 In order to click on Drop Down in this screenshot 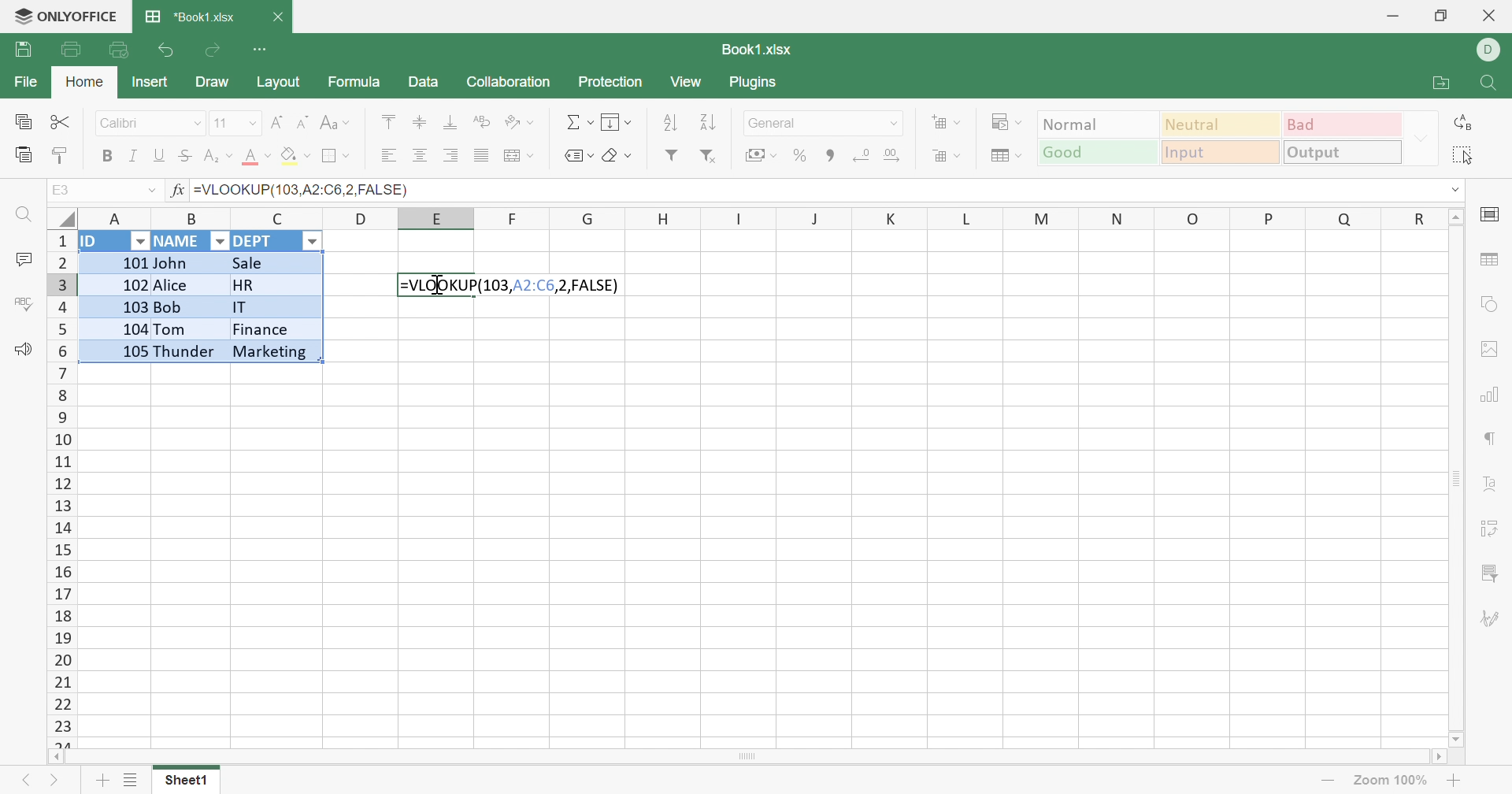, I will do `click(137, 240)`.